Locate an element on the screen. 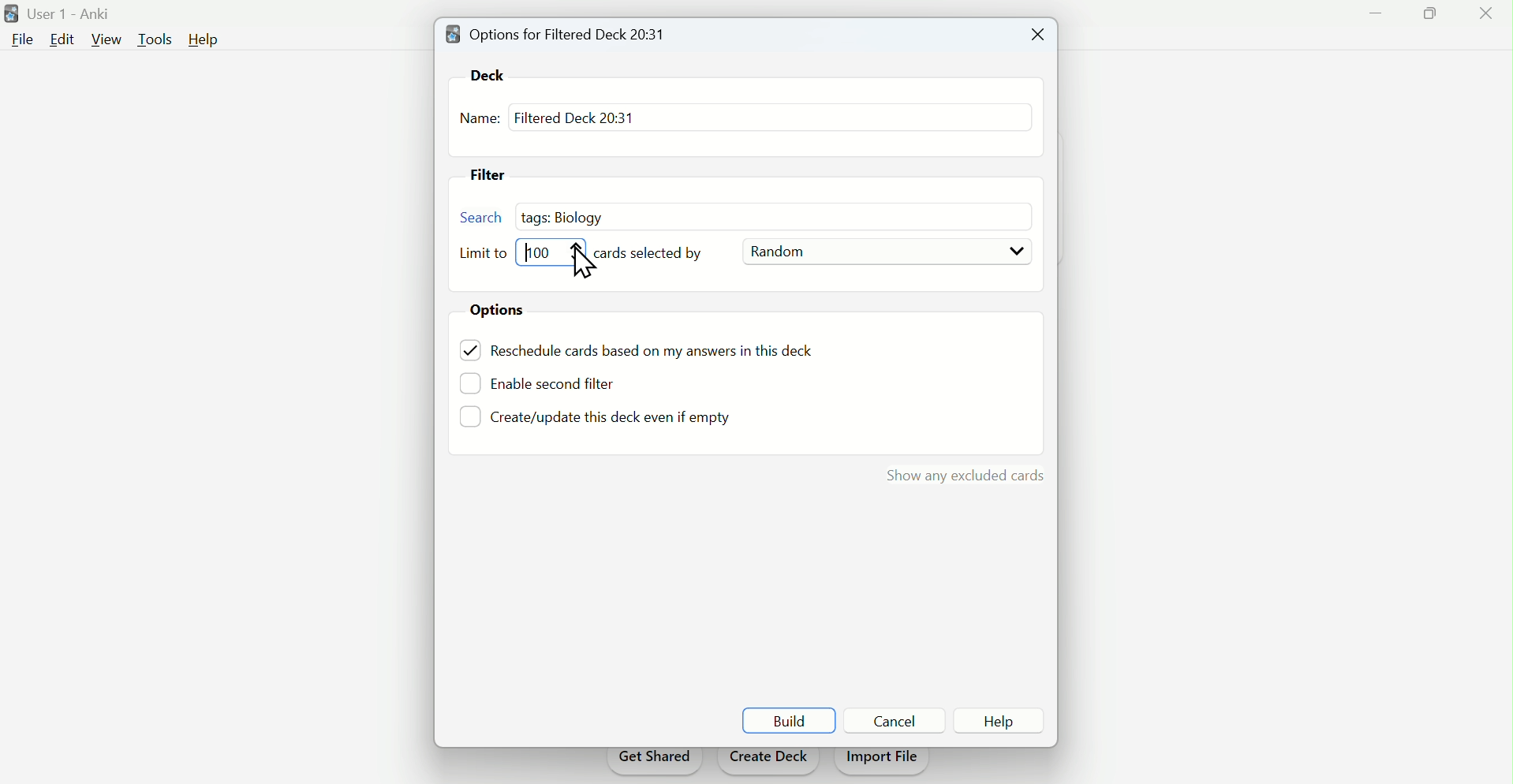 Image resolution: width=1513 pixels, height=784 pixels. Get shared is located at coordinates (653, 762).